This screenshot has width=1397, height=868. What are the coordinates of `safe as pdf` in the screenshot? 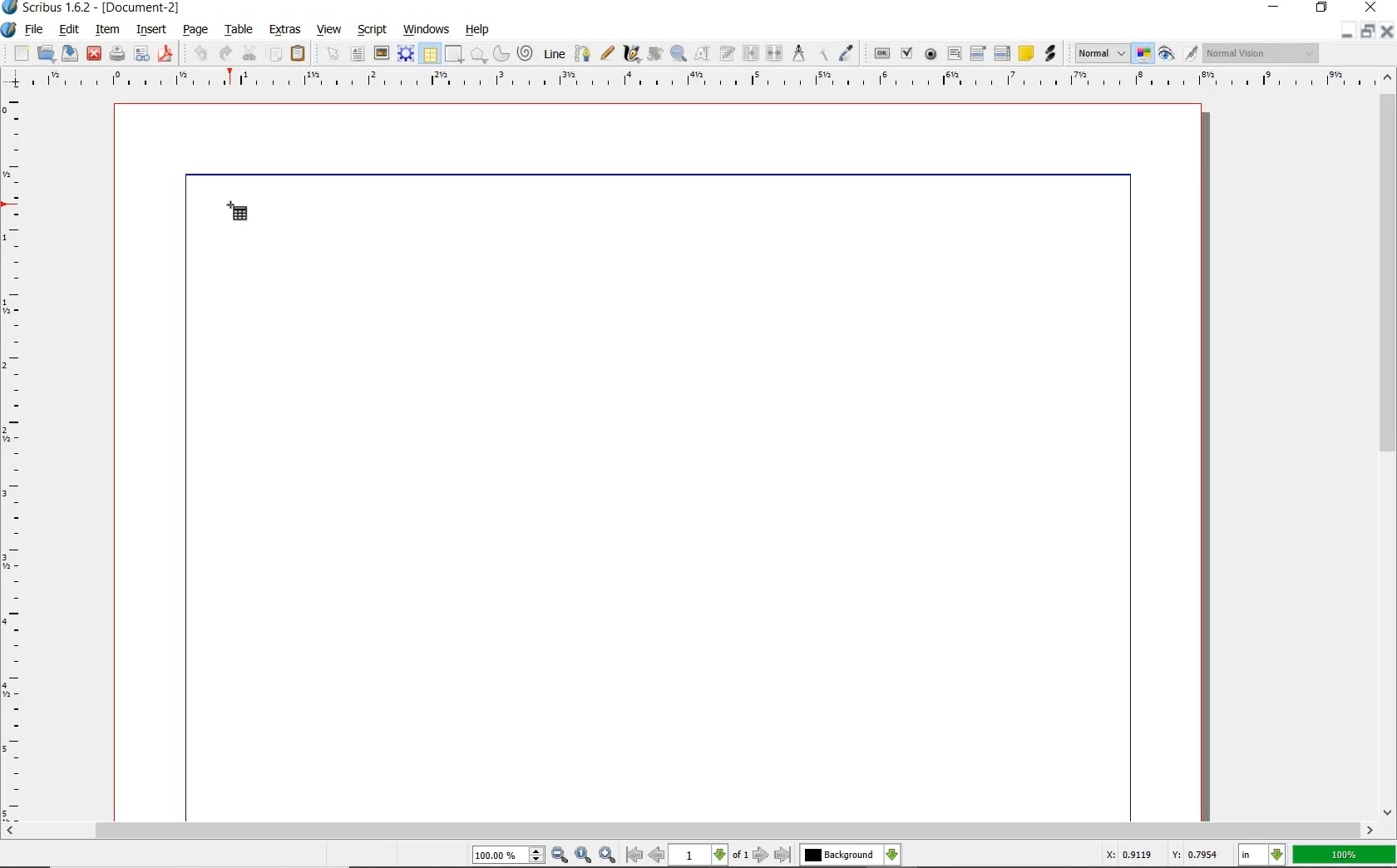 It's located at (165, 54).